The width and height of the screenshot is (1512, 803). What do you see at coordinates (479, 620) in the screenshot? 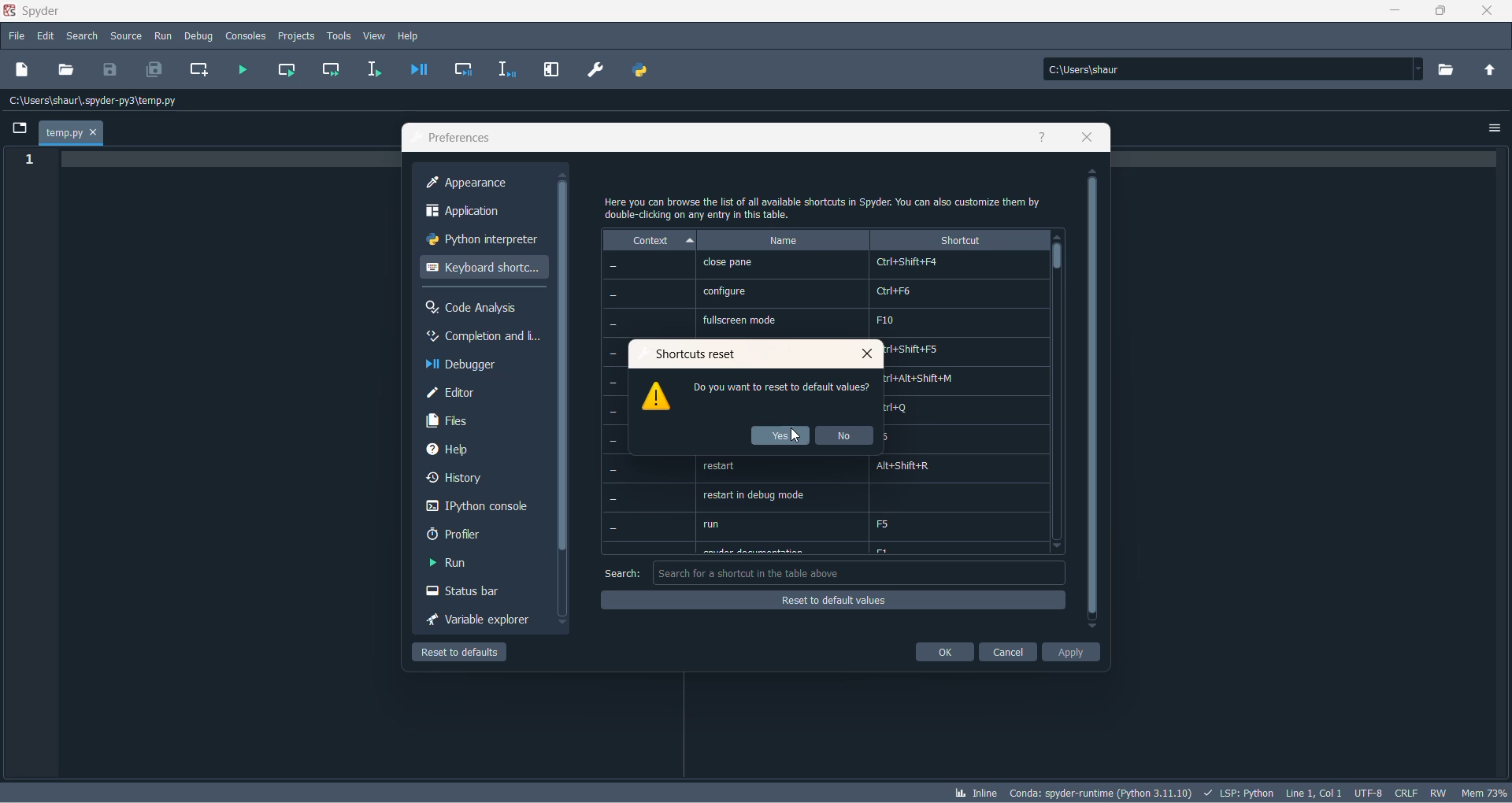
I see `variable explorer` at bounding box center [479, 620].